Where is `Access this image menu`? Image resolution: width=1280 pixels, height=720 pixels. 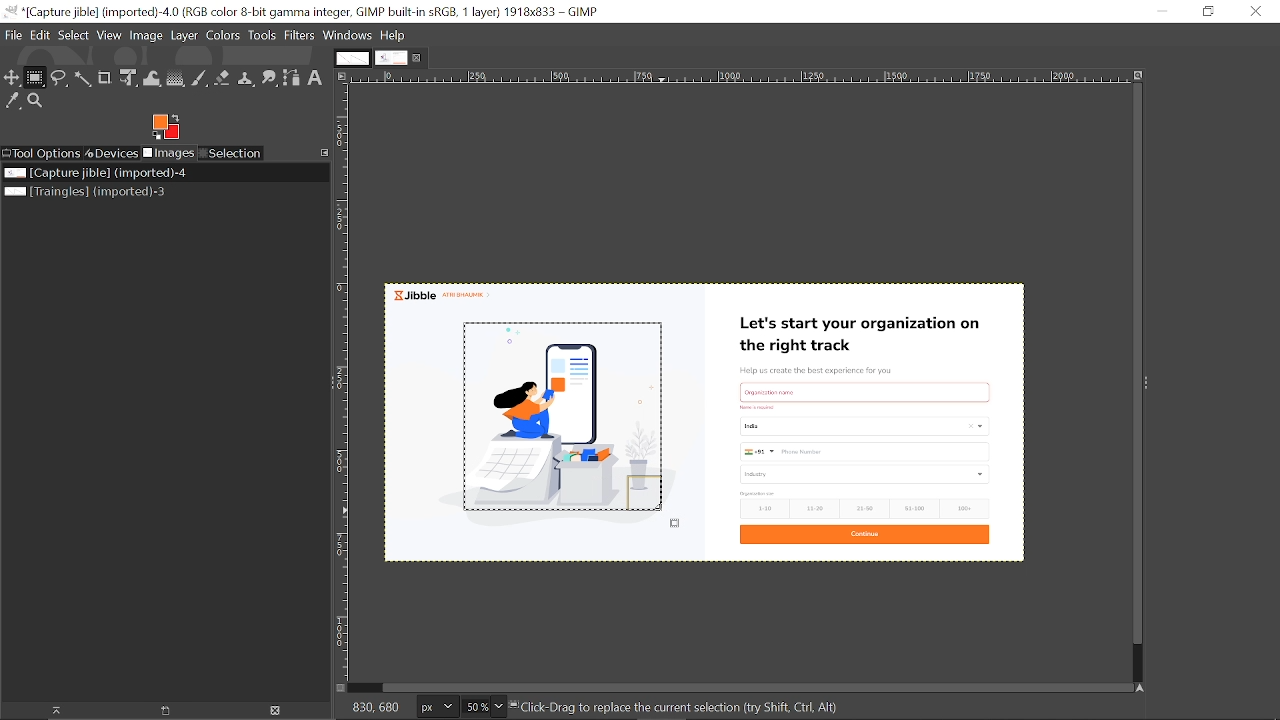
Access this image menu is located at coordinates (342, 76).